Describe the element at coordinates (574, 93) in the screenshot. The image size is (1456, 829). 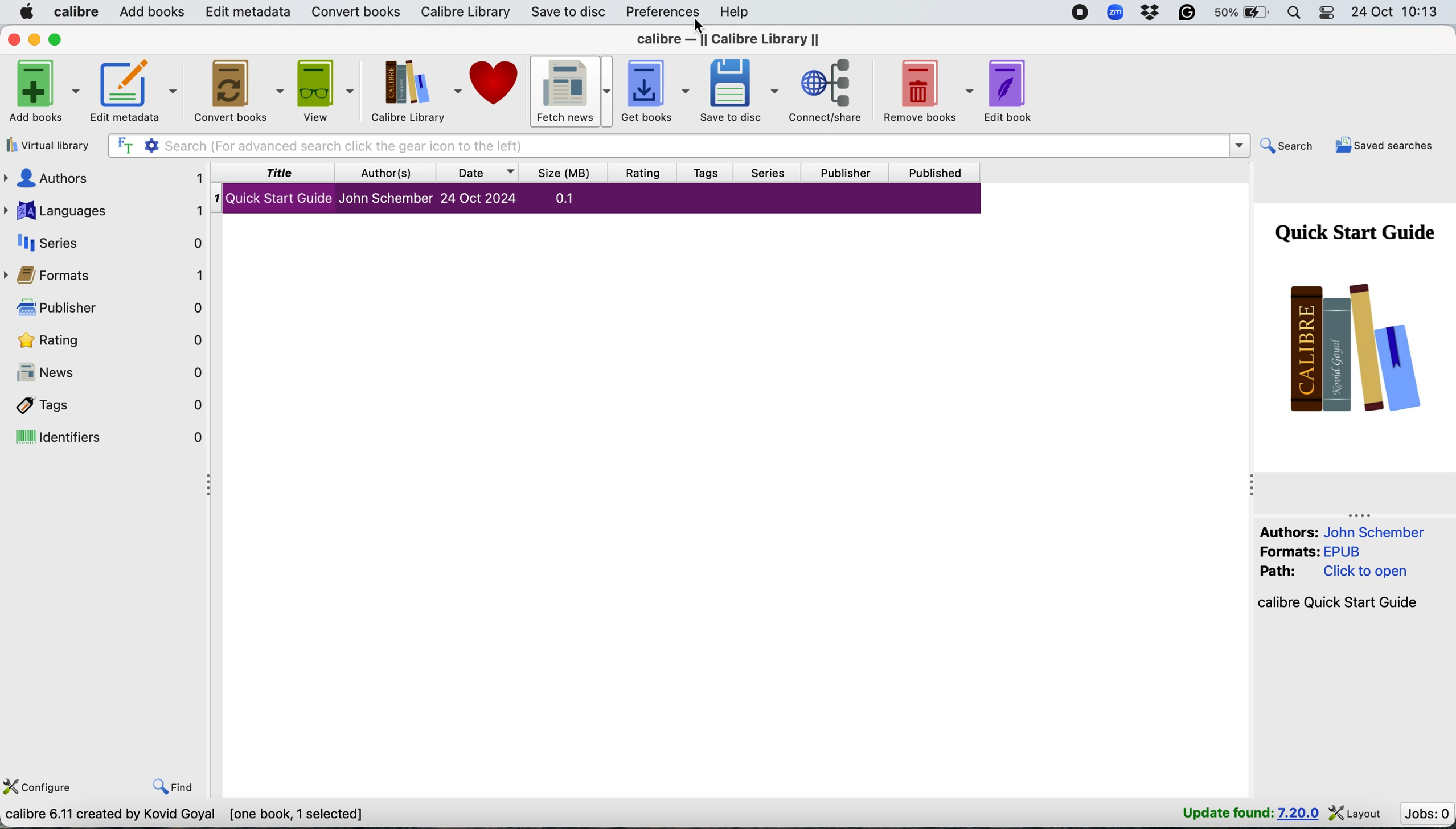
I see `fetch news` at that location.